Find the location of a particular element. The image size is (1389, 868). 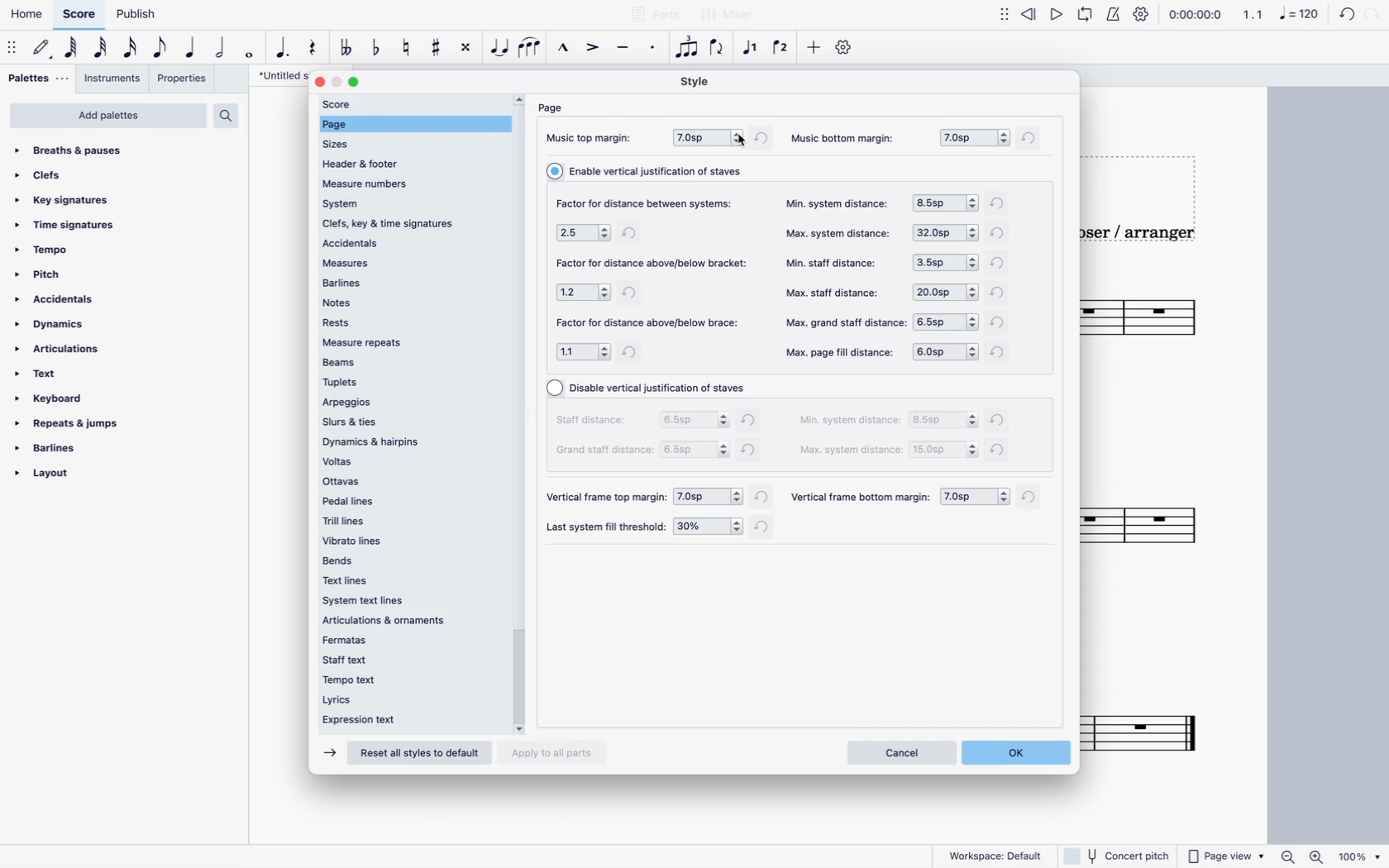

toggle double flat is located at coordinates (348, 50).